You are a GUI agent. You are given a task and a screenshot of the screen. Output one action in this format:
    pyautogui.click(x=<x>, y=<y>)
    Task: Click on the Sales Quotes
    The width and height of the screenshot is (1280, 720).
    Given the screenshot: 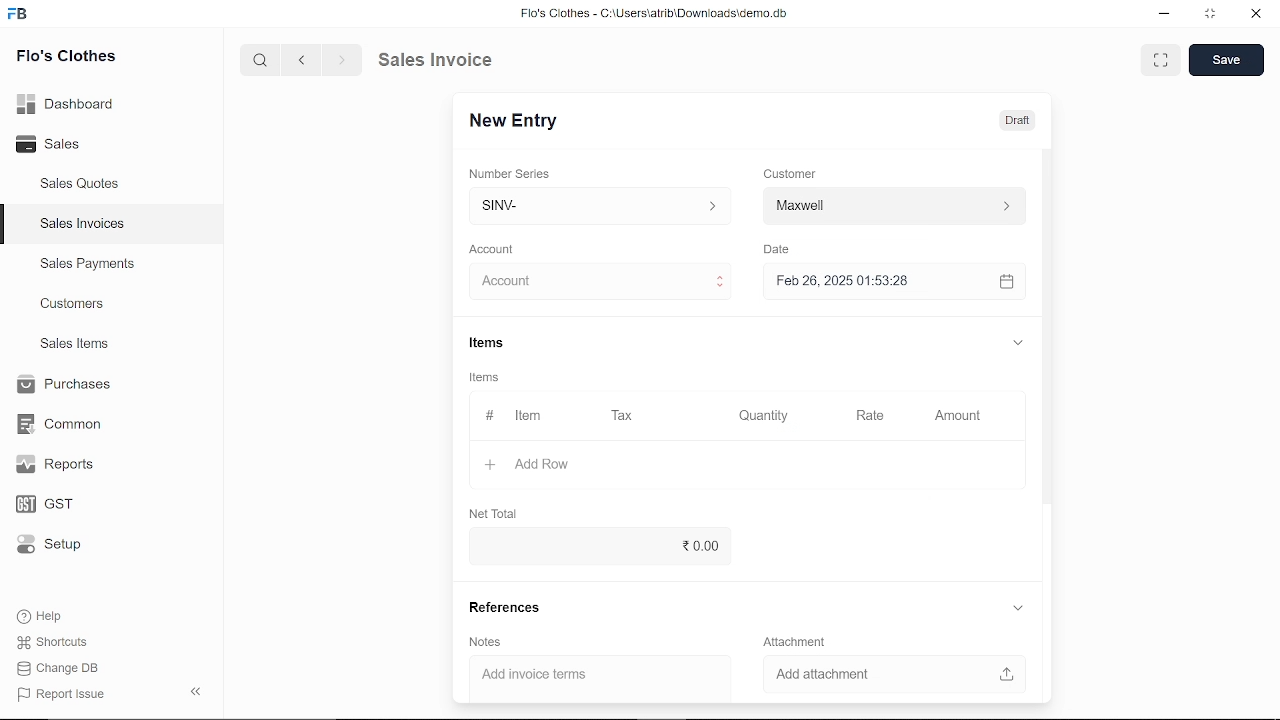 What is the action you would take?
    pyautogui.click(x=82, y=185)
    